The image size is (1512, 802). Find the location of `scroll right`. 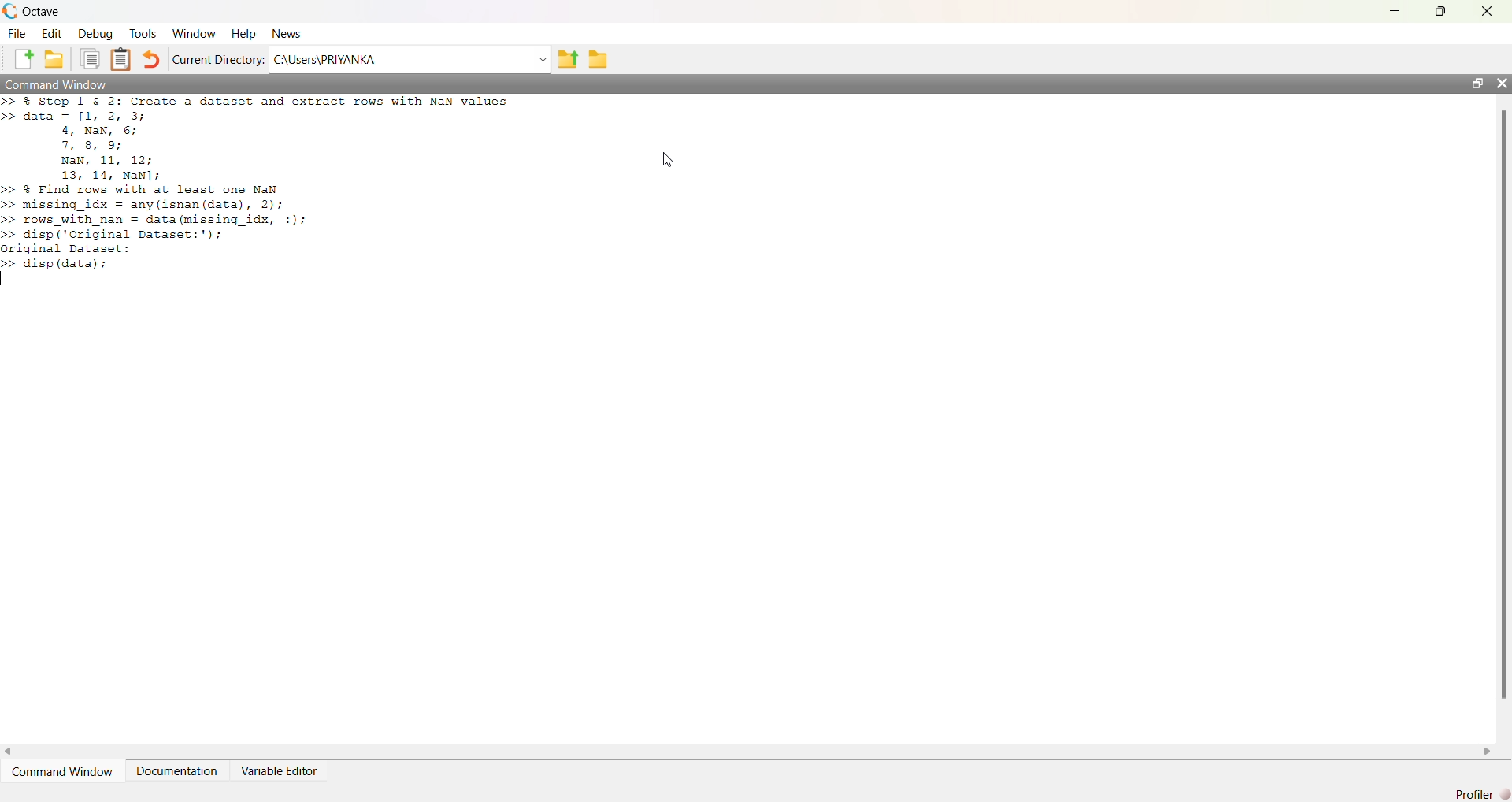

scroll right is located at coordinates (1488, 752).